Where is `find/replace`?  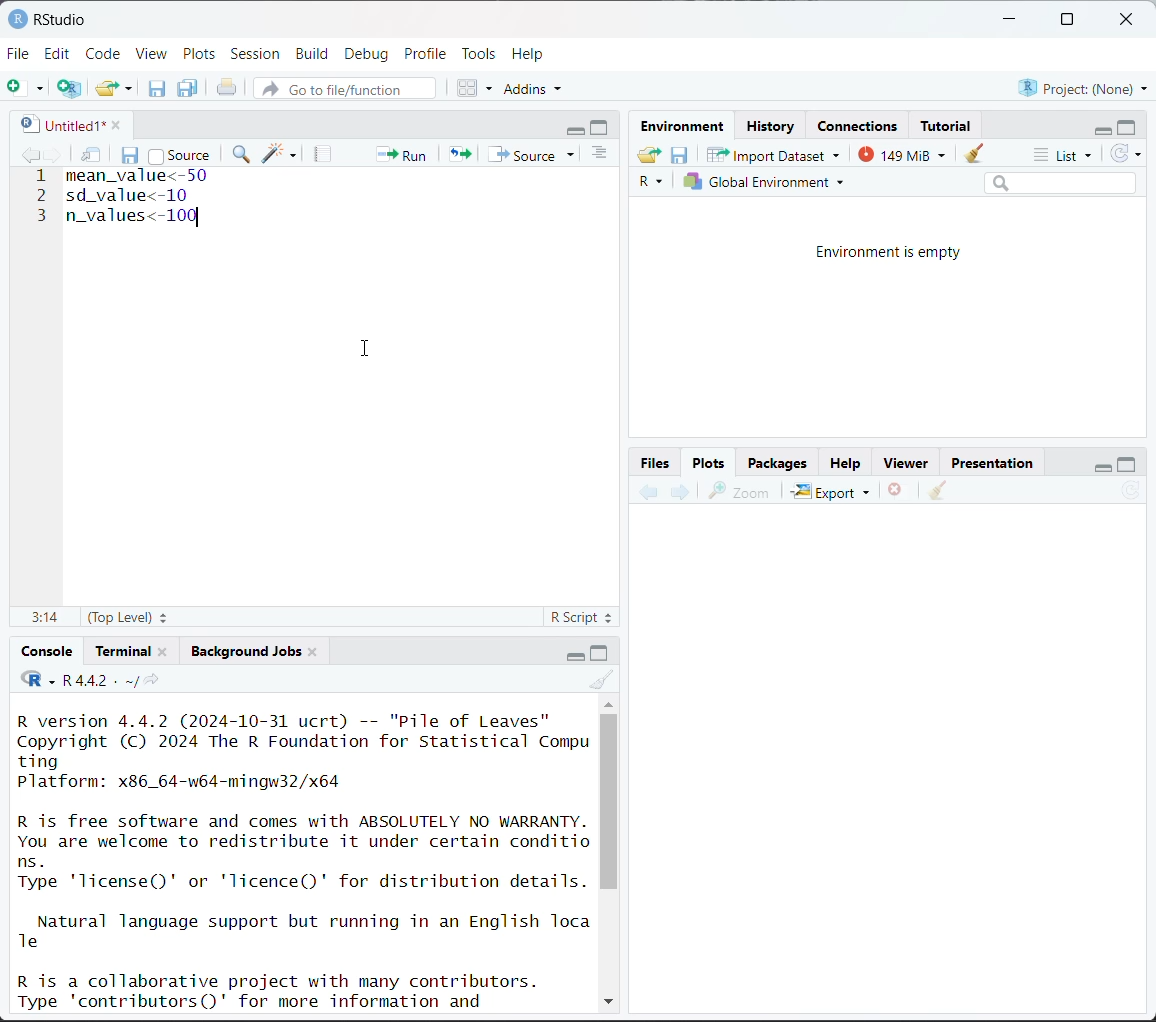
find/replace is located at coordinates (243, 156).